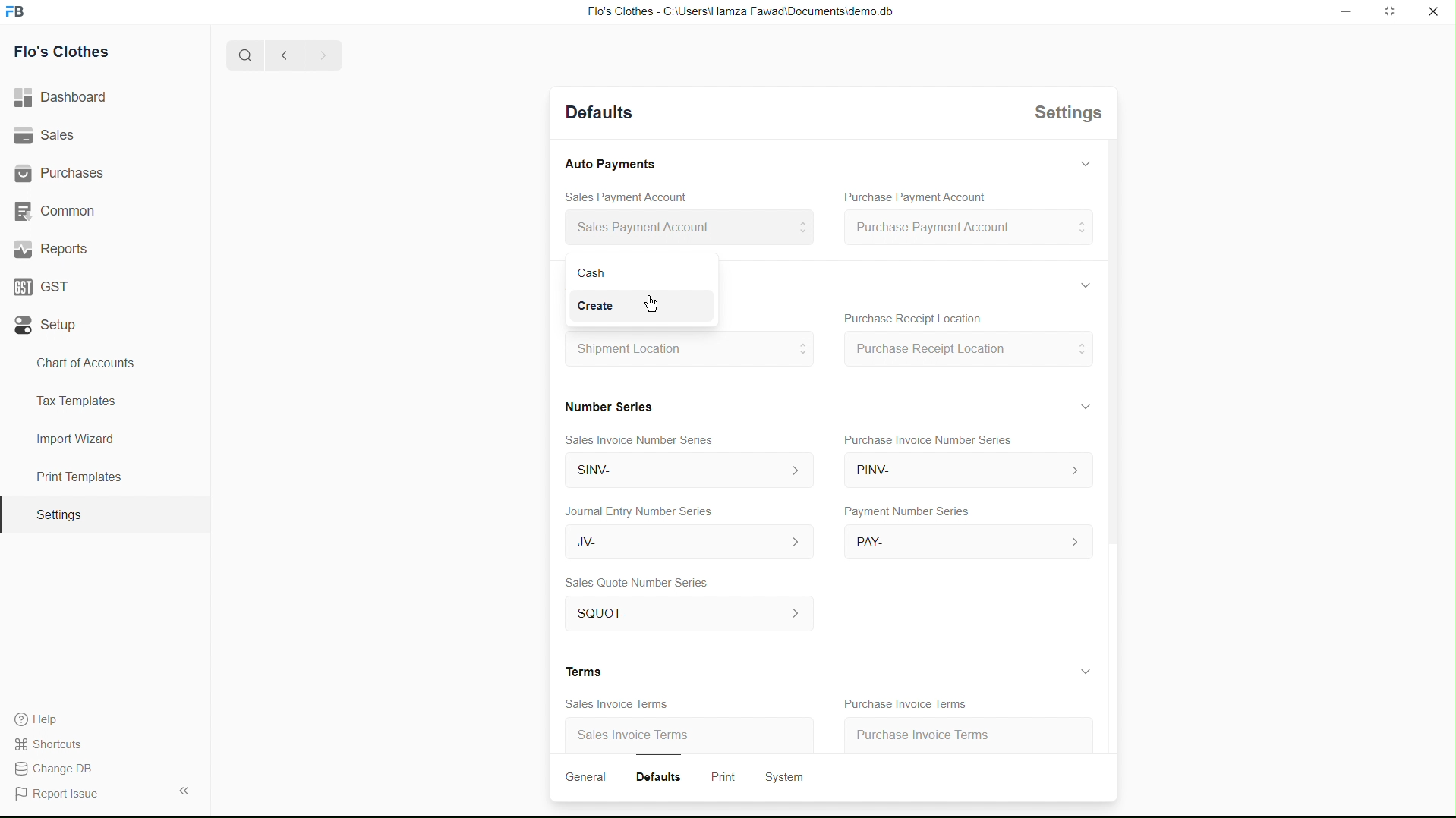 The height and width of the screenshot is (818, 1456). What do you see at coordinates (685, 354) in the screenshot?
I see `Shipment Location` at bounding box center [685, 354].